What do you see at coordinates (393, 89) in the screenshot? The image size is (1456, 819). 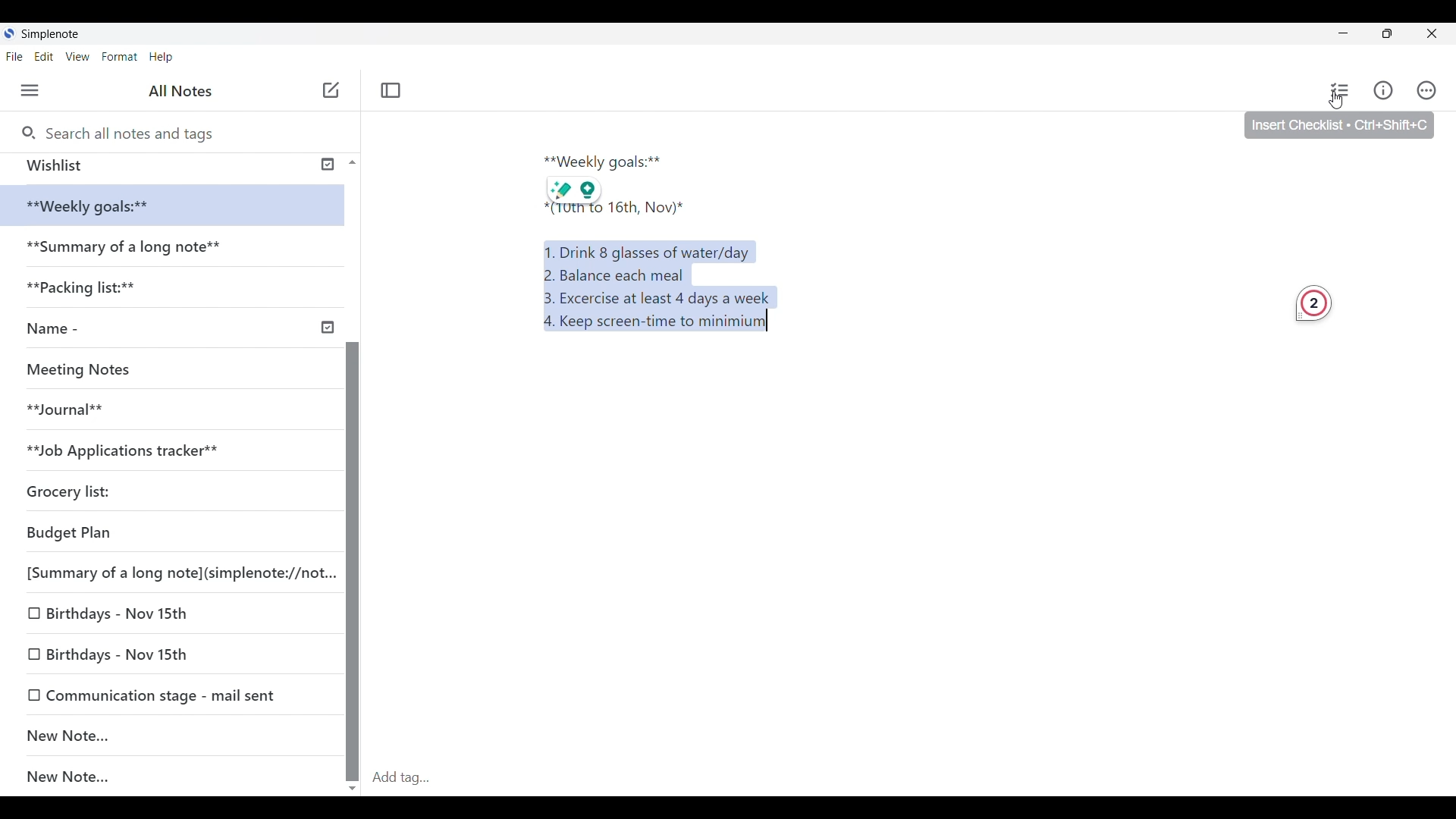 I see `Toggle focus mode` at bounding box center [393, 89].